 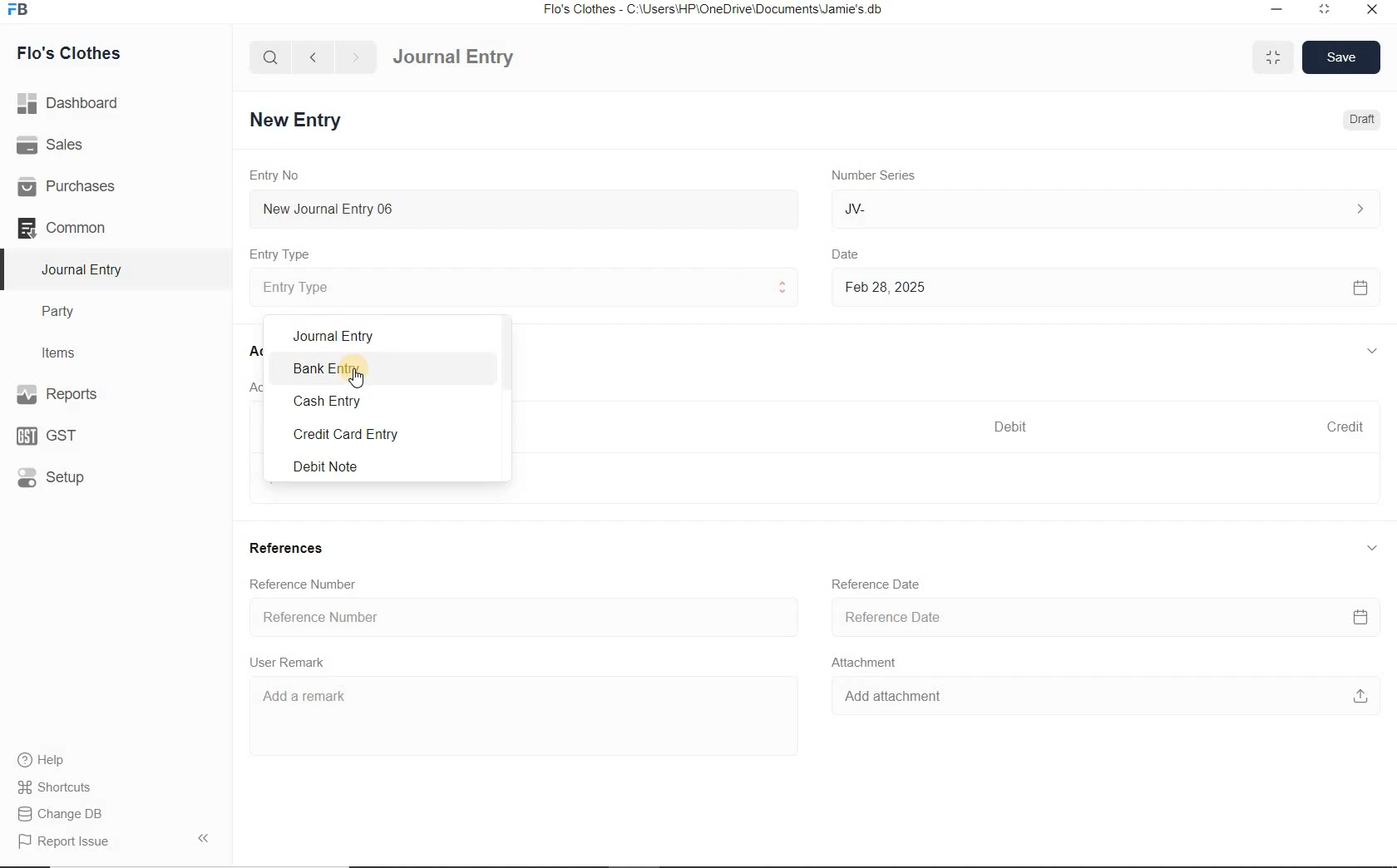 I want to click on Report Issue, so click(x=63, y=841).